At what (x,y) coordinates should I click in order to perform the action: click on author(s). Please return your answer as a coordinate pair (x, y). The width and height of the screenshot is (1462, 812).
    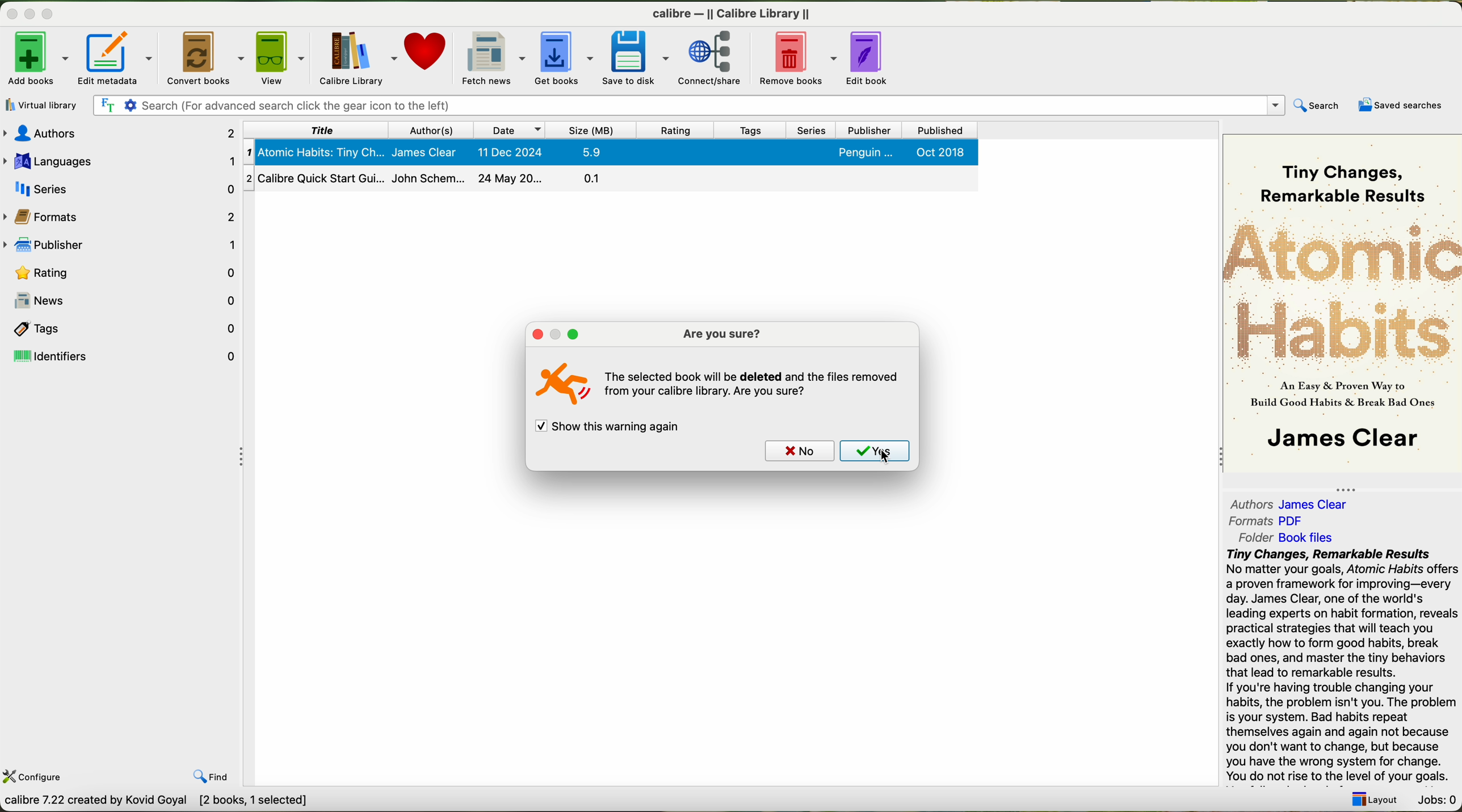
    Looking at the image, I should click on (430, 130).